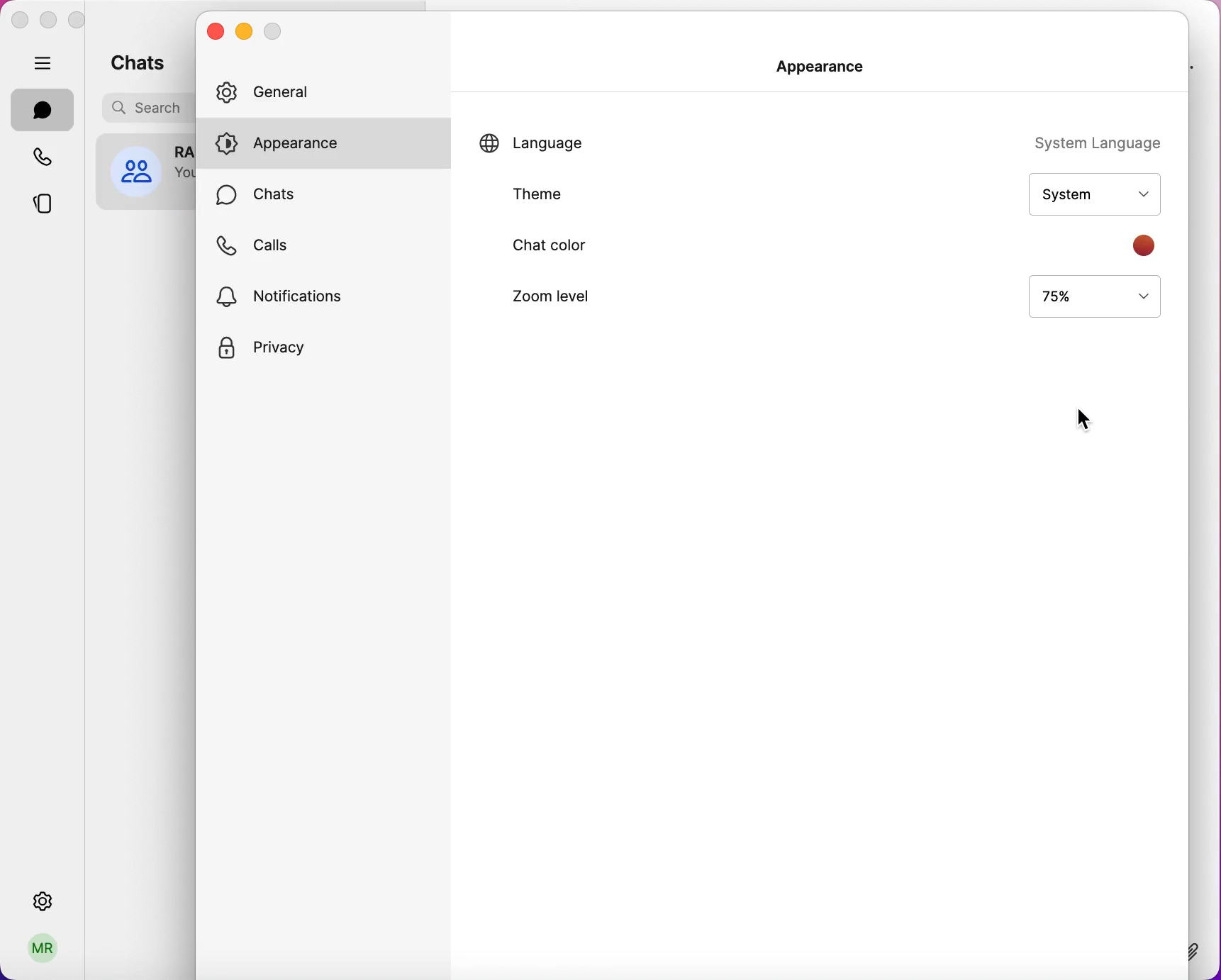 This screenshot has width=1221, height=980. Describe the element at coordinates (569, 139) in the screenshot. I see `language` at that location.